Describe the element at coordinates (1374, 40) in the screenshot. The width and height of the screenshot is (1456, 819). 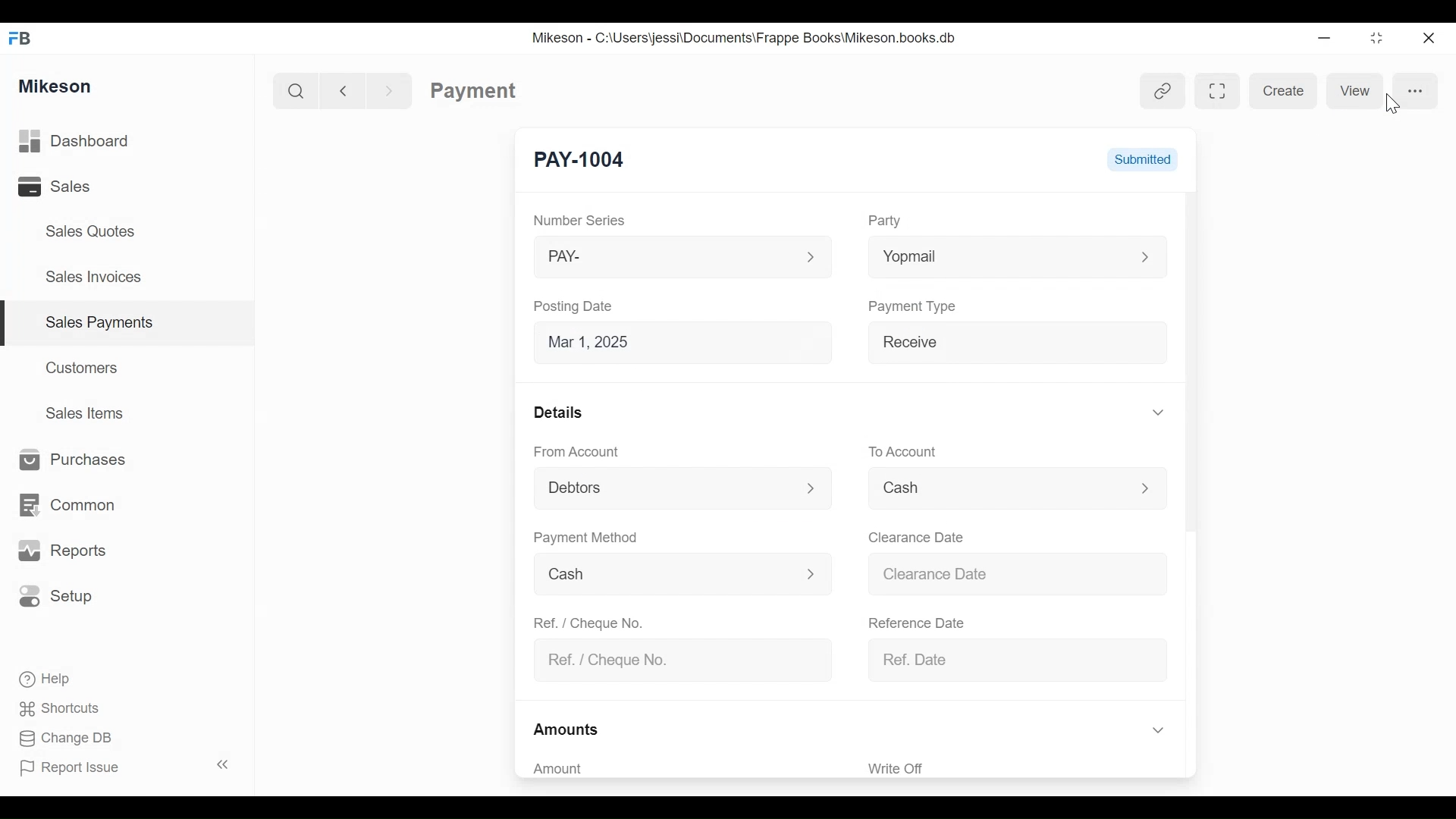
I see `Maximize` at that location.